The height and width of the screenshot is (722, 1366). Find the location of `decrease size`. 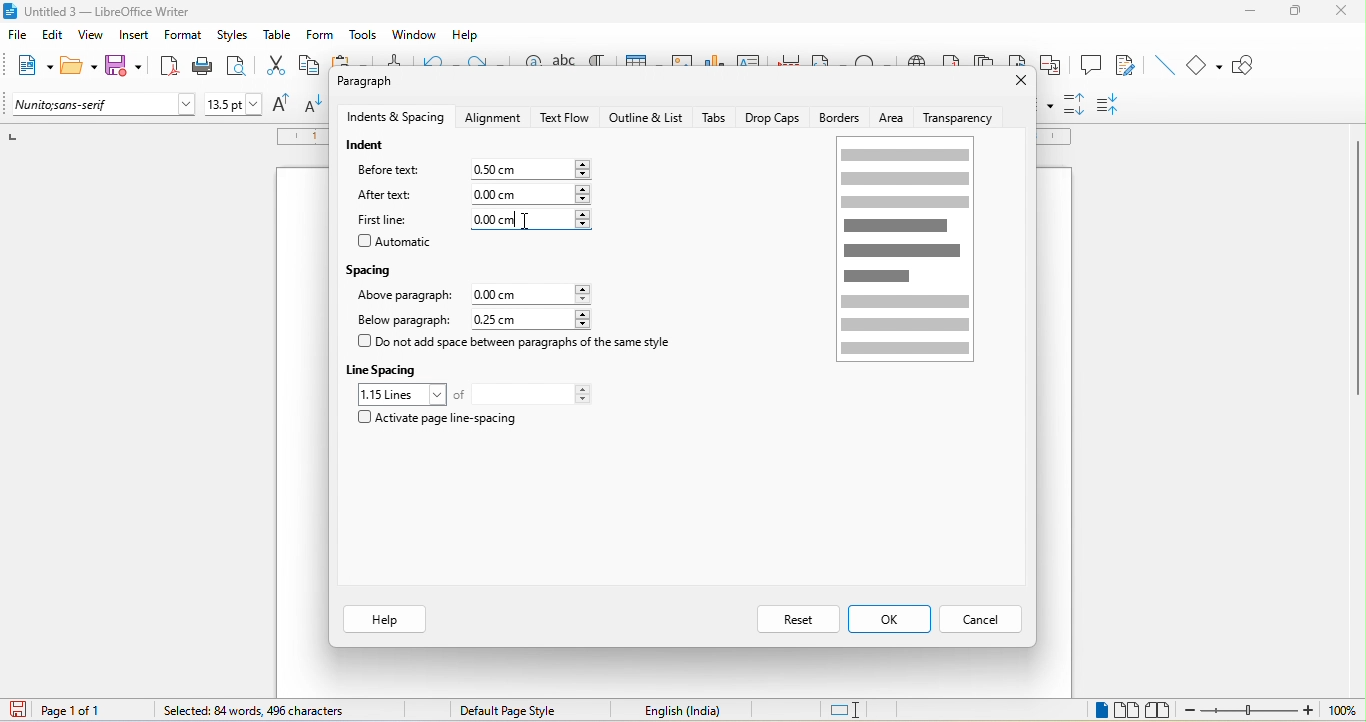

decrease size is located at coordinates (316, 103).